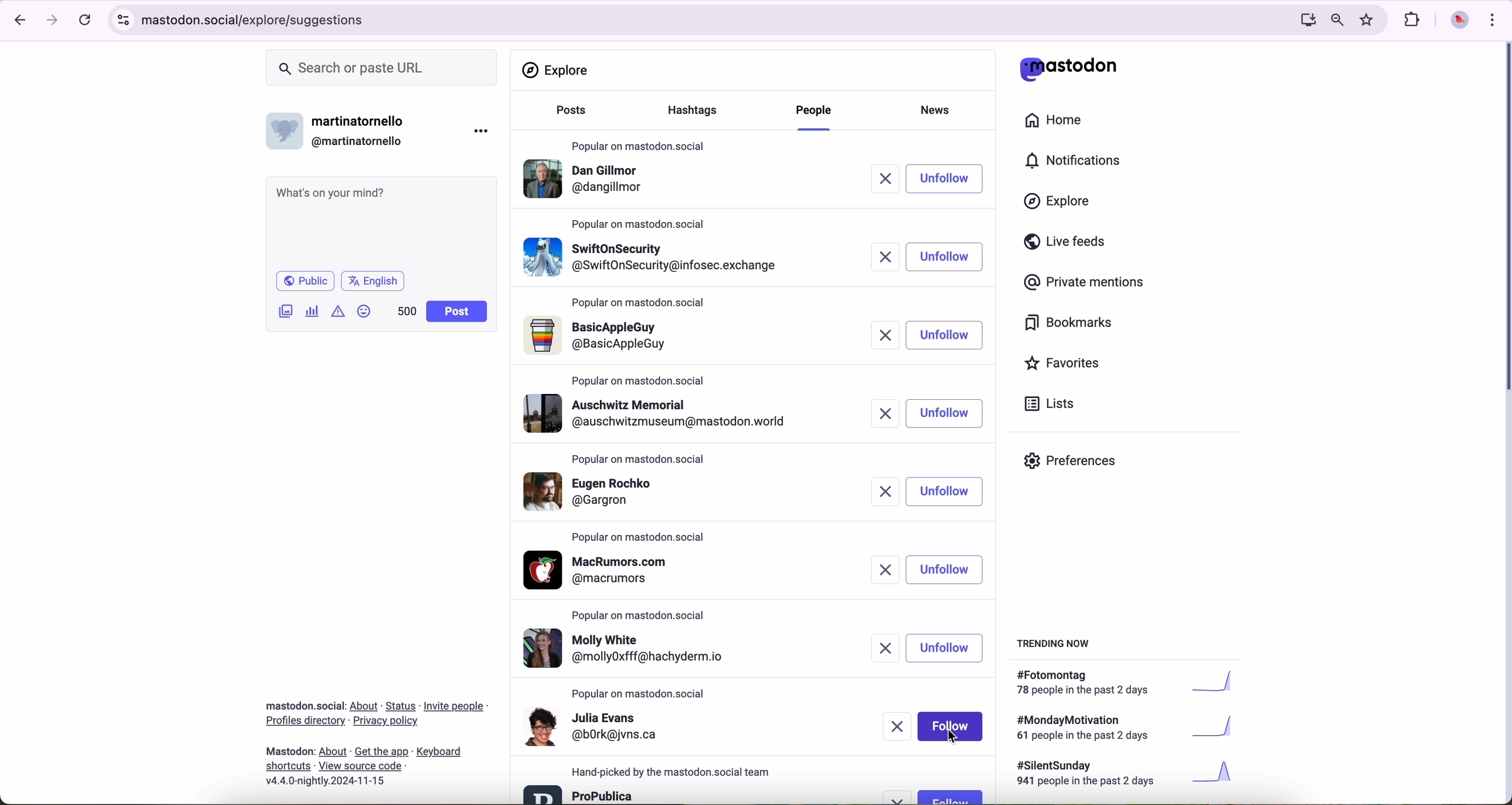 The image size is (1512, 805). I want to click on click on explore button, so click(1060, 207).